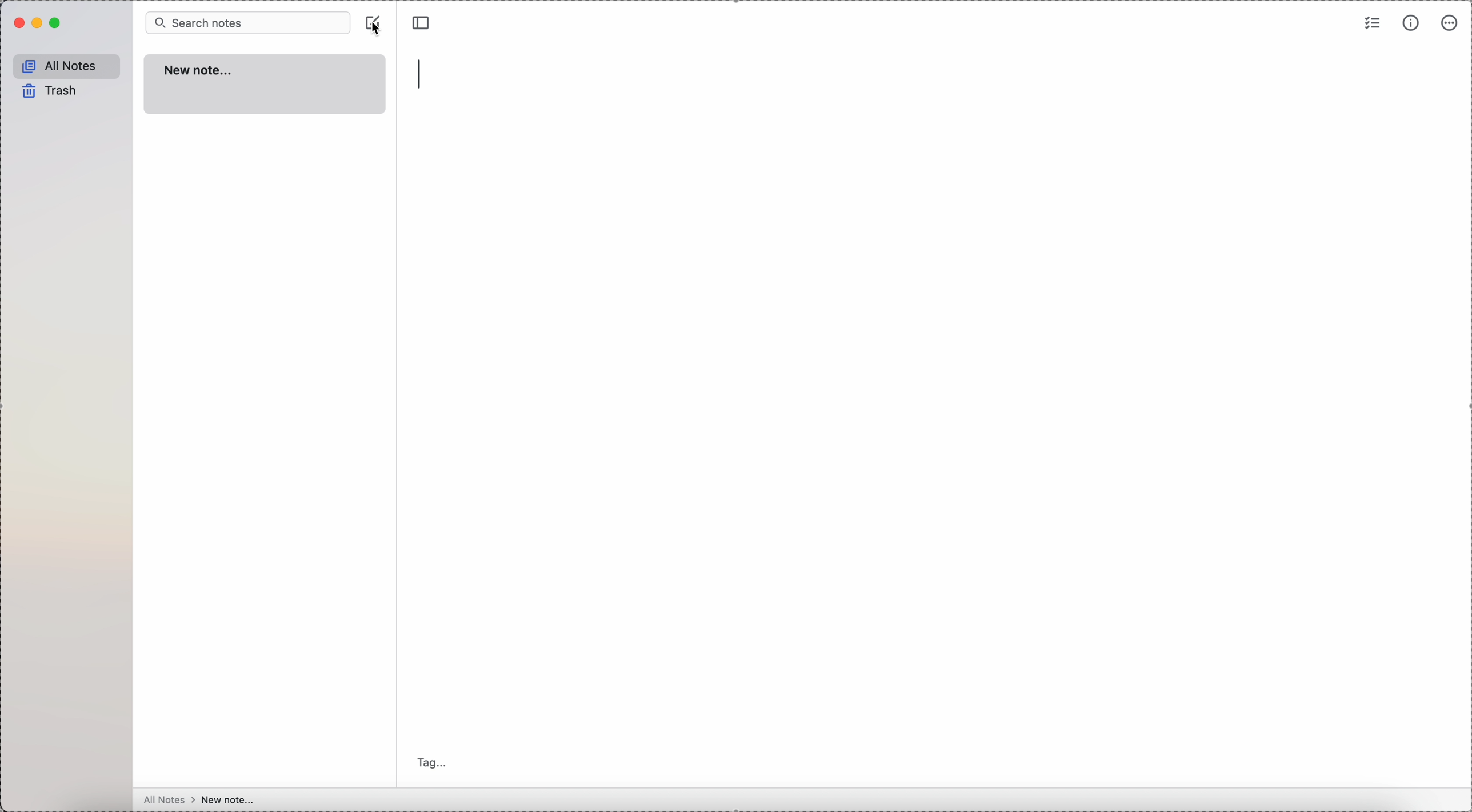 Image resolution: width=1472 pixels, height=812 pixels. What do you see at coordinates (247, 22) in the screenshot?
I see `search bar` at bounding box center [247, 22].